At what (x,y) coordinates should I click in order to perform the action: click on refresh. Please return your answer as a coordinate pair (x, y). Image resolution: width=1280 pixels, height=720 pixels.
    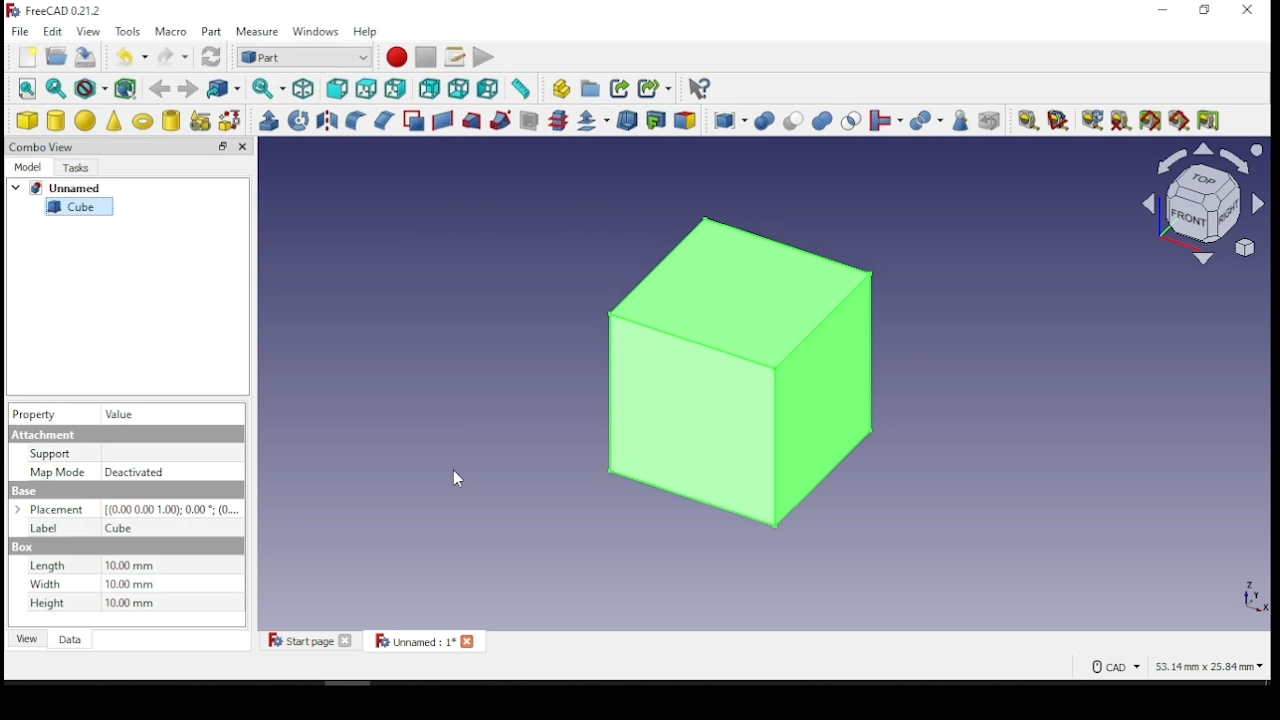
    Looking at the image, I should click on (1089, 120).